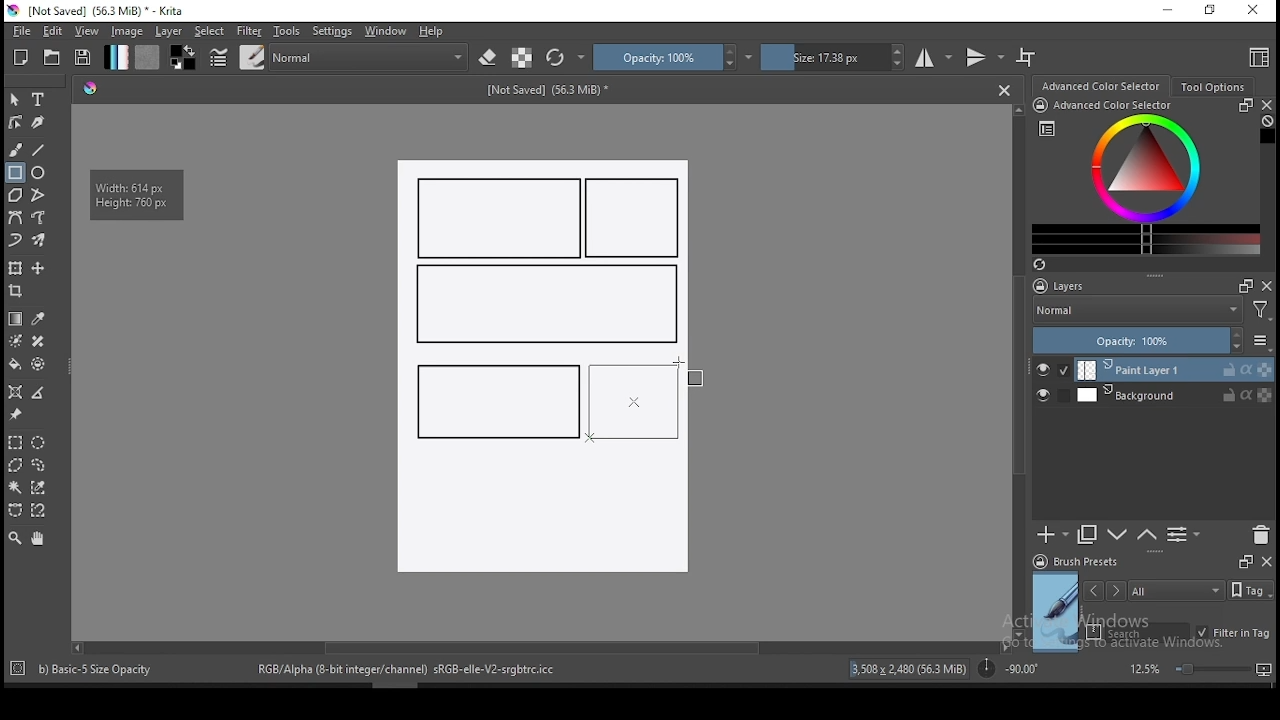  I want to click on filter, so click(248, 31).